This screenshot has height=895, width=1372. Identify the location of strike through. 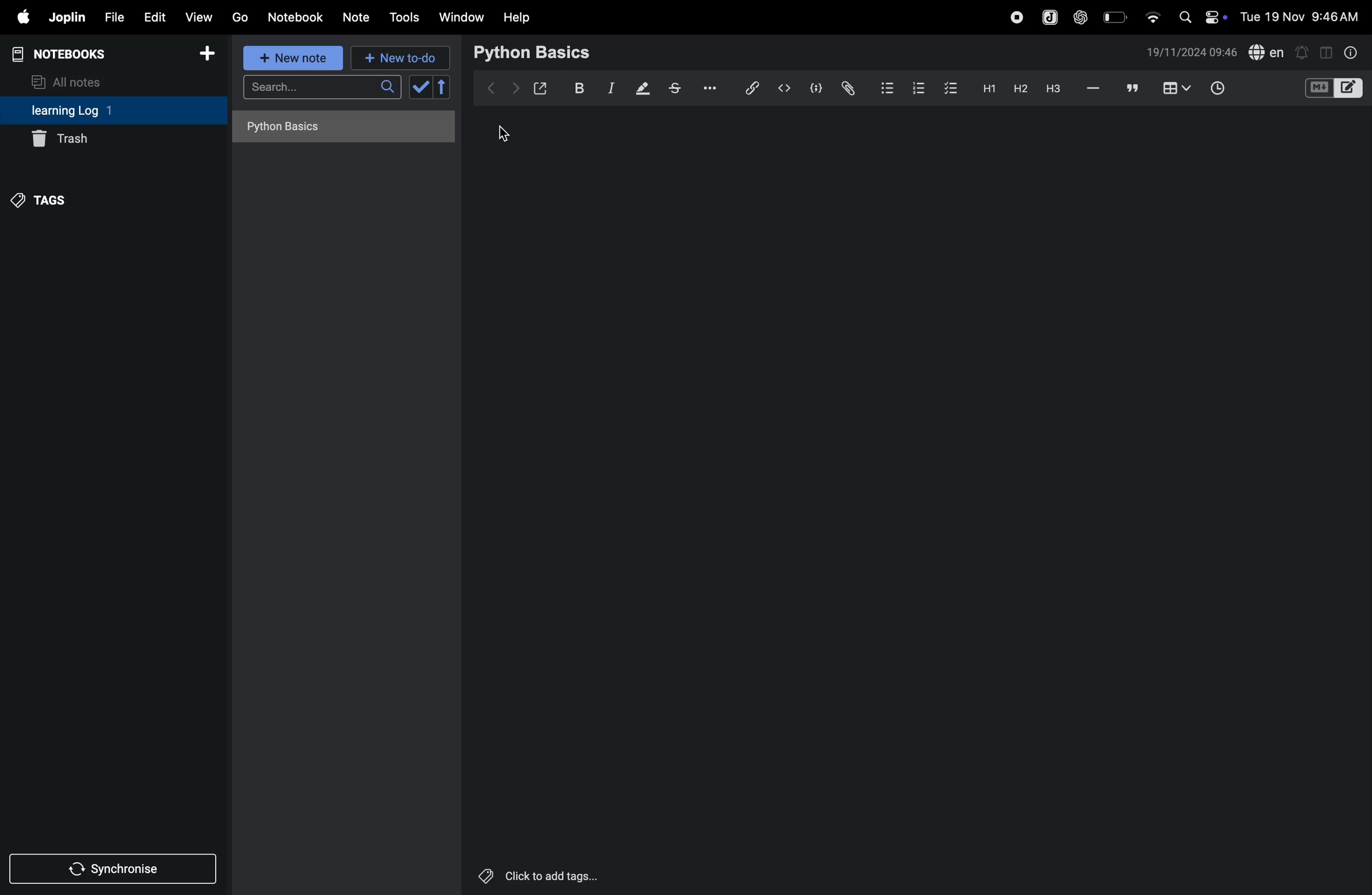
(675, 88).